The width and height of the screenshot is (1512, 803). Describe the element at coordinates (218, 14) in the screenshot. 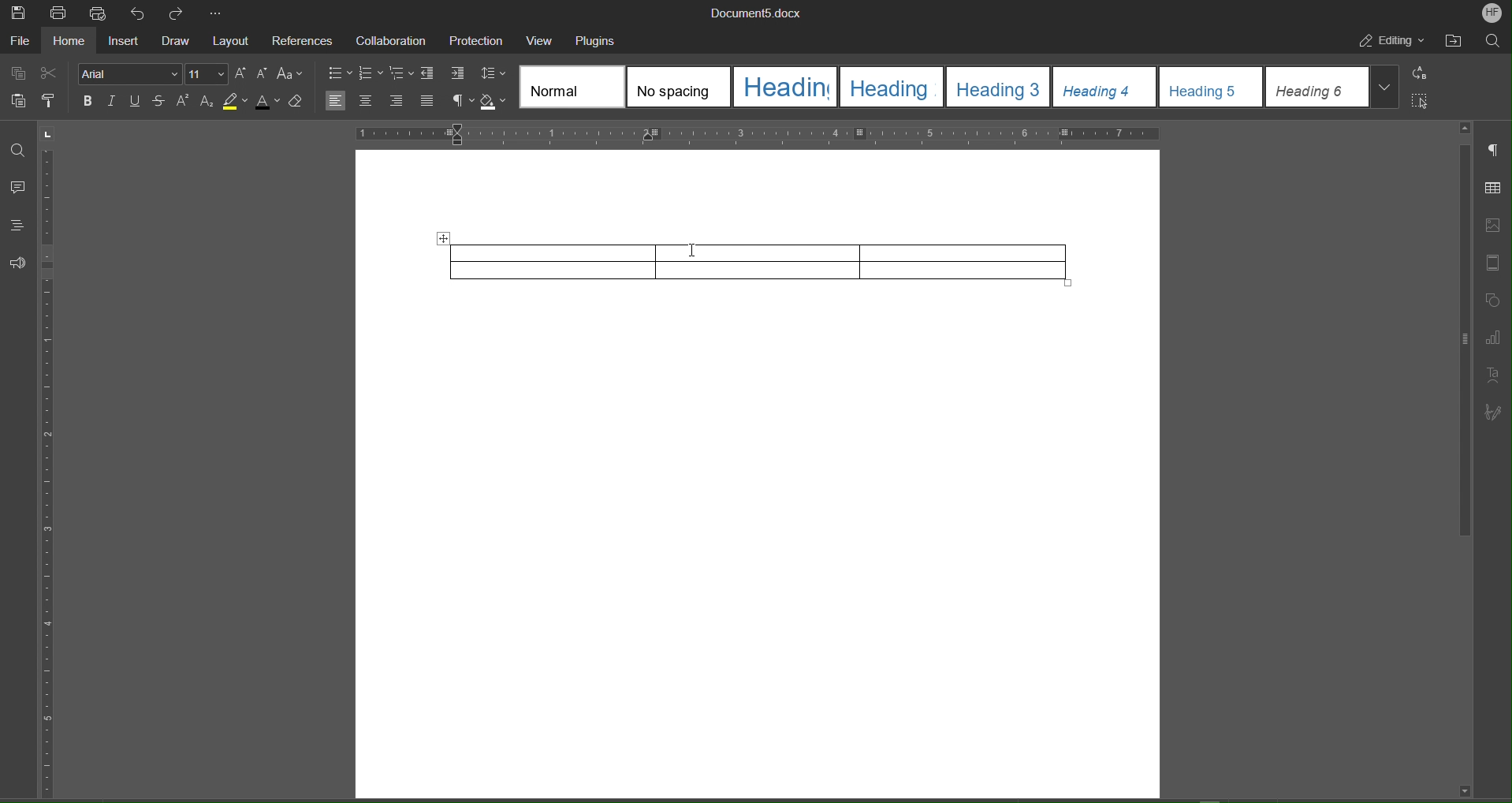

I see `More` at that location.